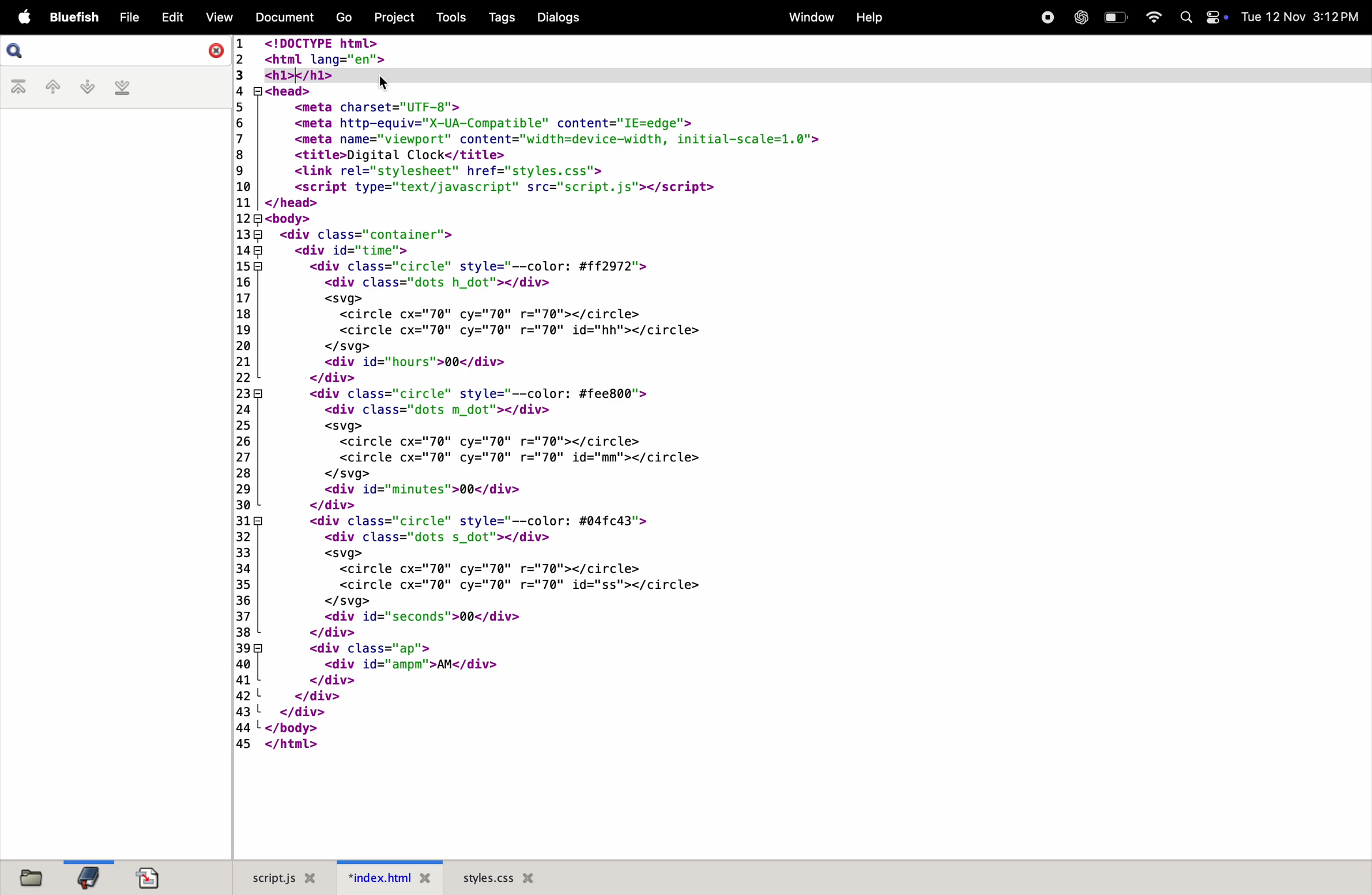 The width and height of the screenshot is (1372, 895). What do you see at coordinates (1080, 17) in the screenshot?
I see `chatgpt` at bounding box center [1080, 17].